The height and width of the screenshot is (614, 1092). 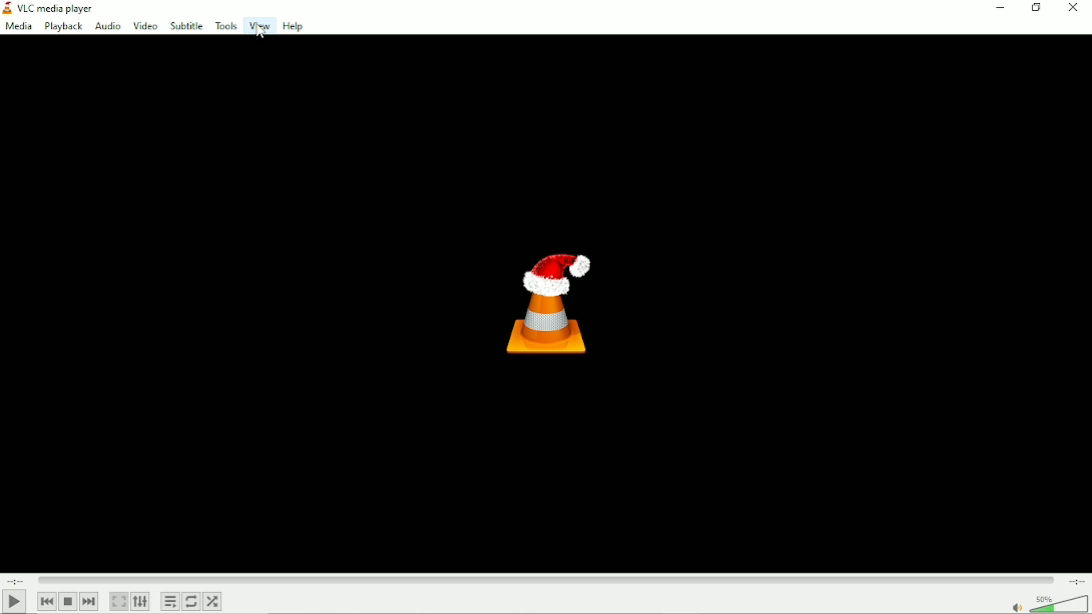 I want to click on VLC logo, so click(x=7, y=7).